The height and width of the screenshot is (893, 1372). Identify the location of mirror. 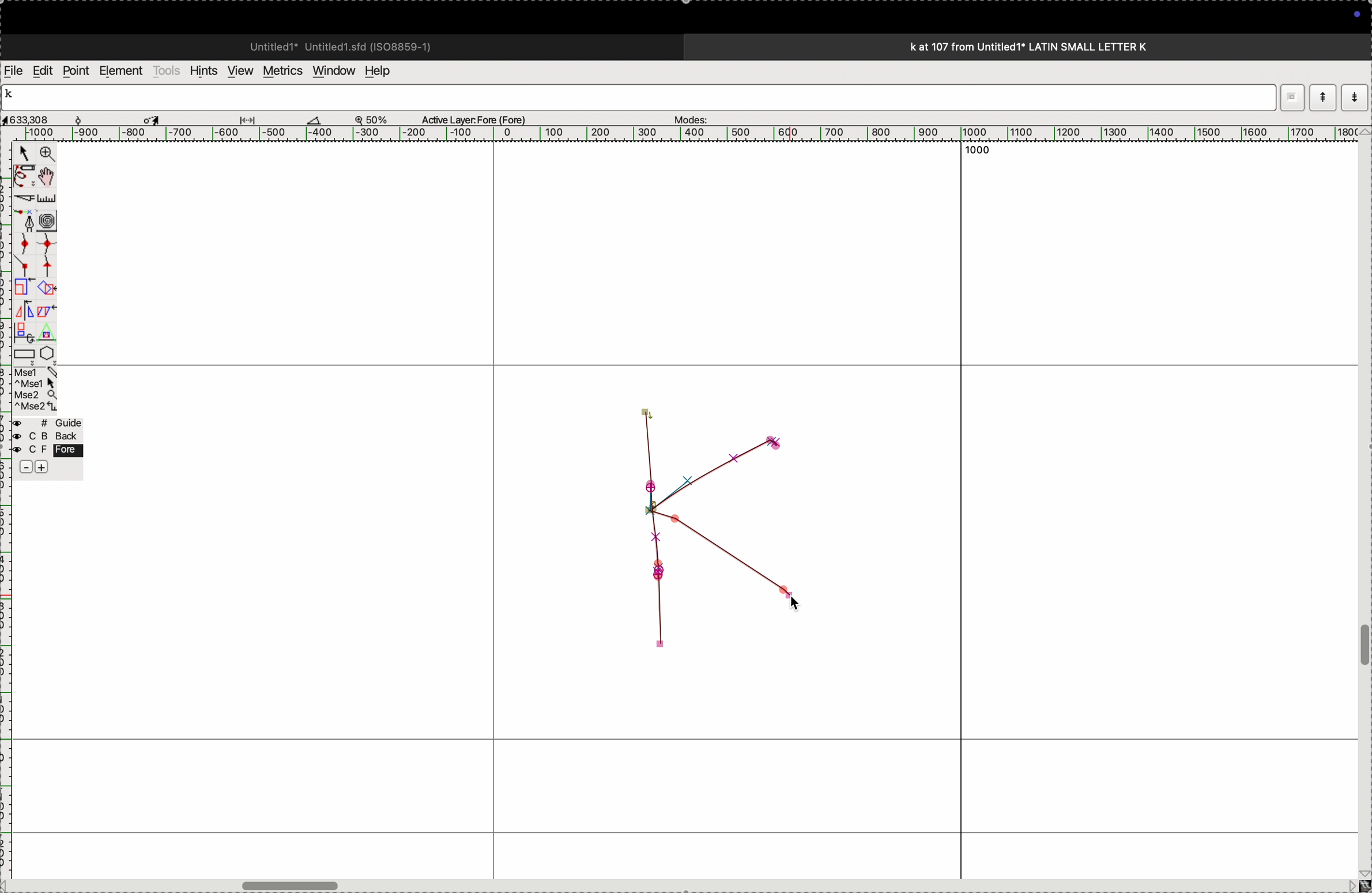
(24, 320).